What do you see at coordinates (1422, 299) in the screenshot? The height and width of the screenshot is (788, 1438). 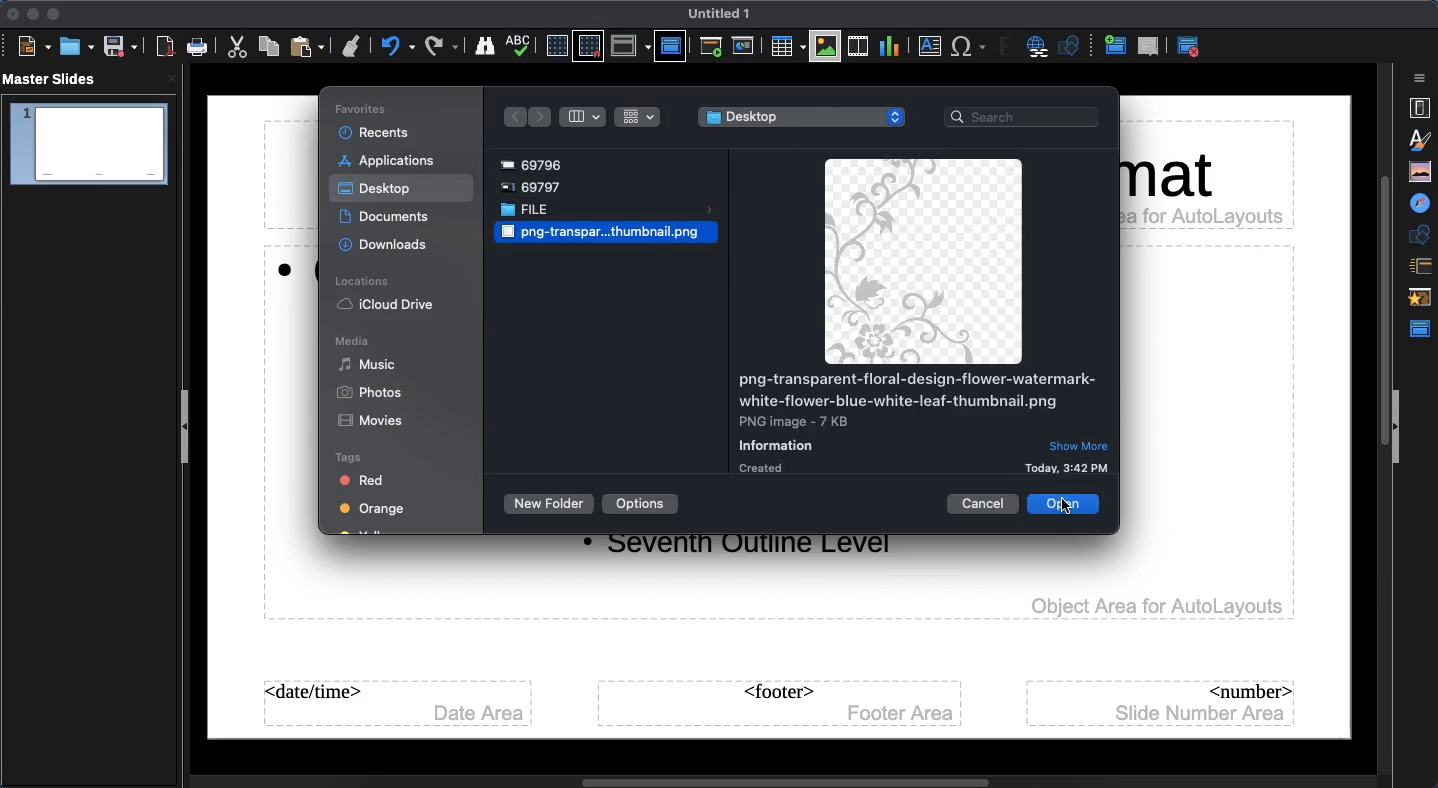 I see `Animation` at bounding box center [1422, 299].